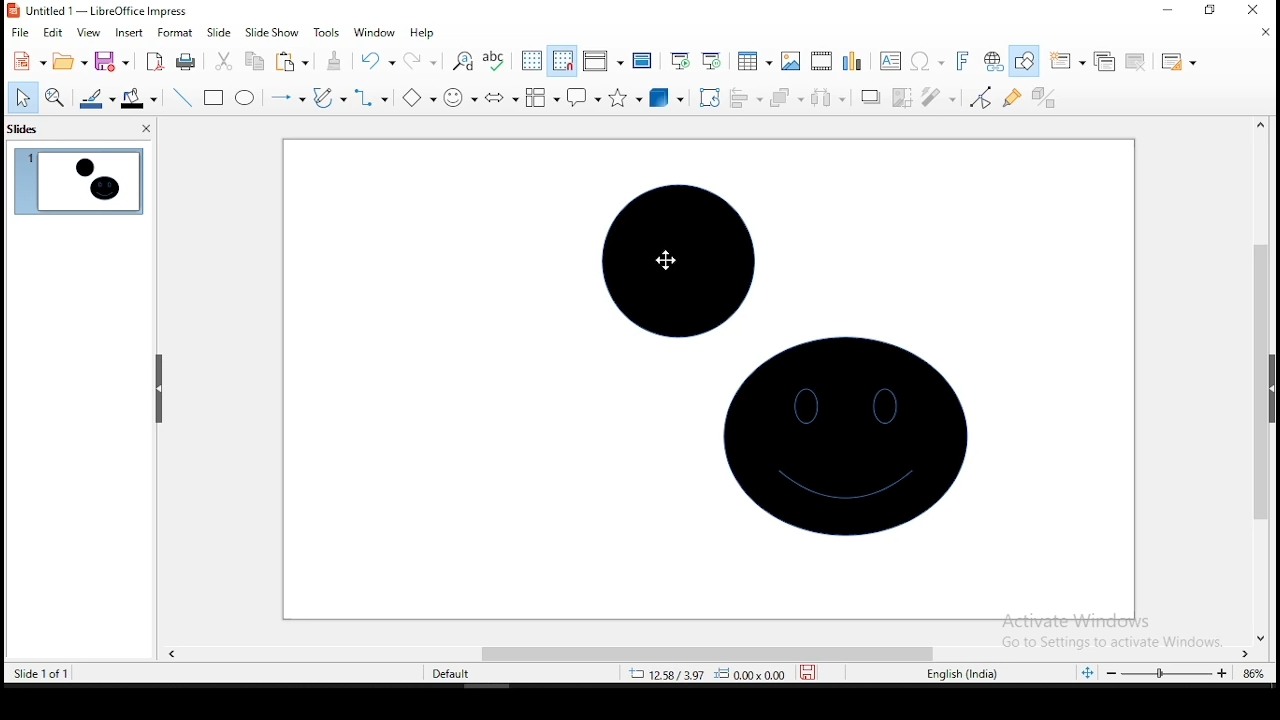  Describe the element at coordinates (377, 61) in the screenshot. I see `undo` at that location.